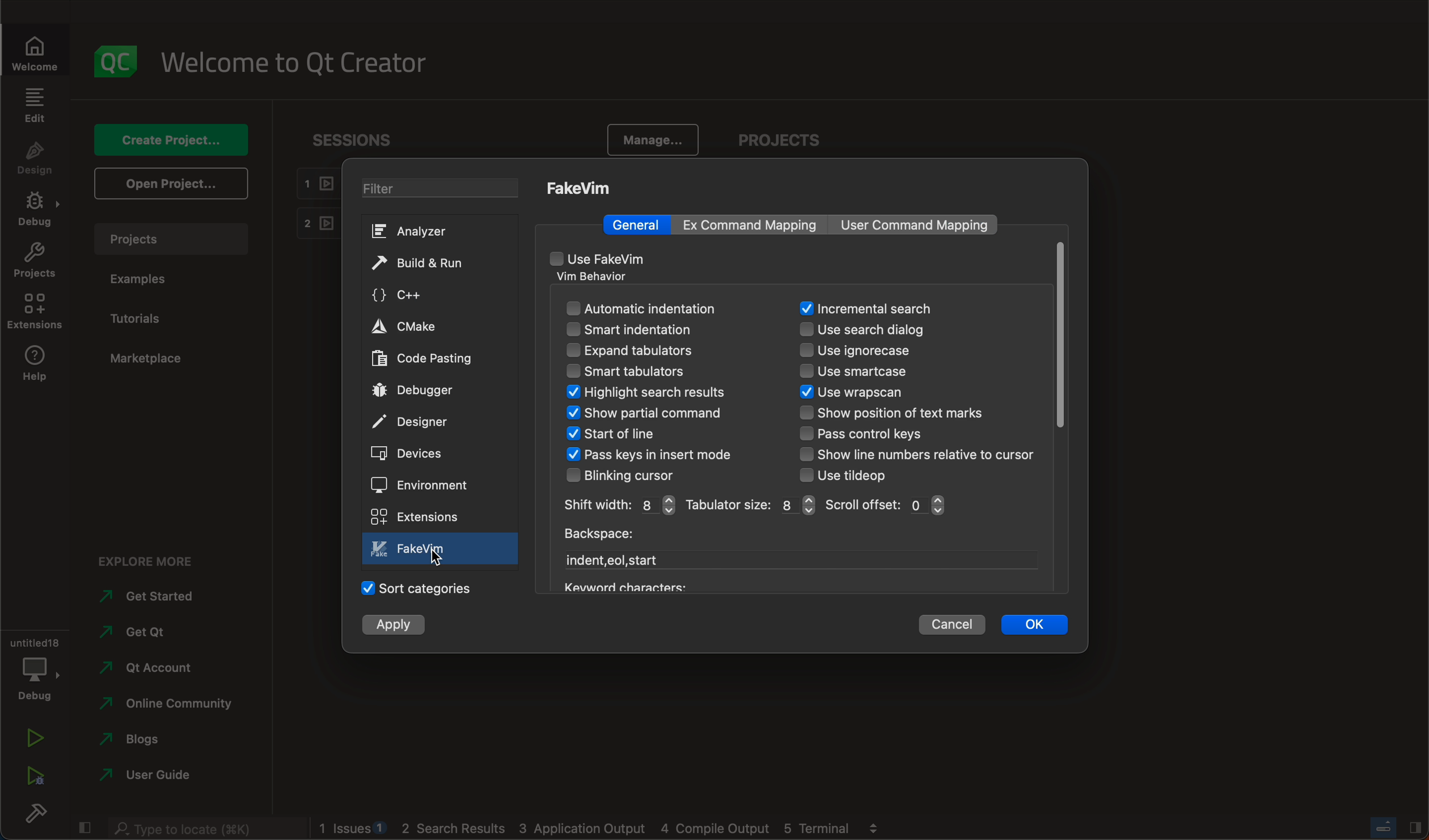 Image resolution: width=1429 pixels, height=840 pixels. What do you see at coordinates (582, 188) in the screenshot?
I see `fakeVim` at bounding box center [582, 188].